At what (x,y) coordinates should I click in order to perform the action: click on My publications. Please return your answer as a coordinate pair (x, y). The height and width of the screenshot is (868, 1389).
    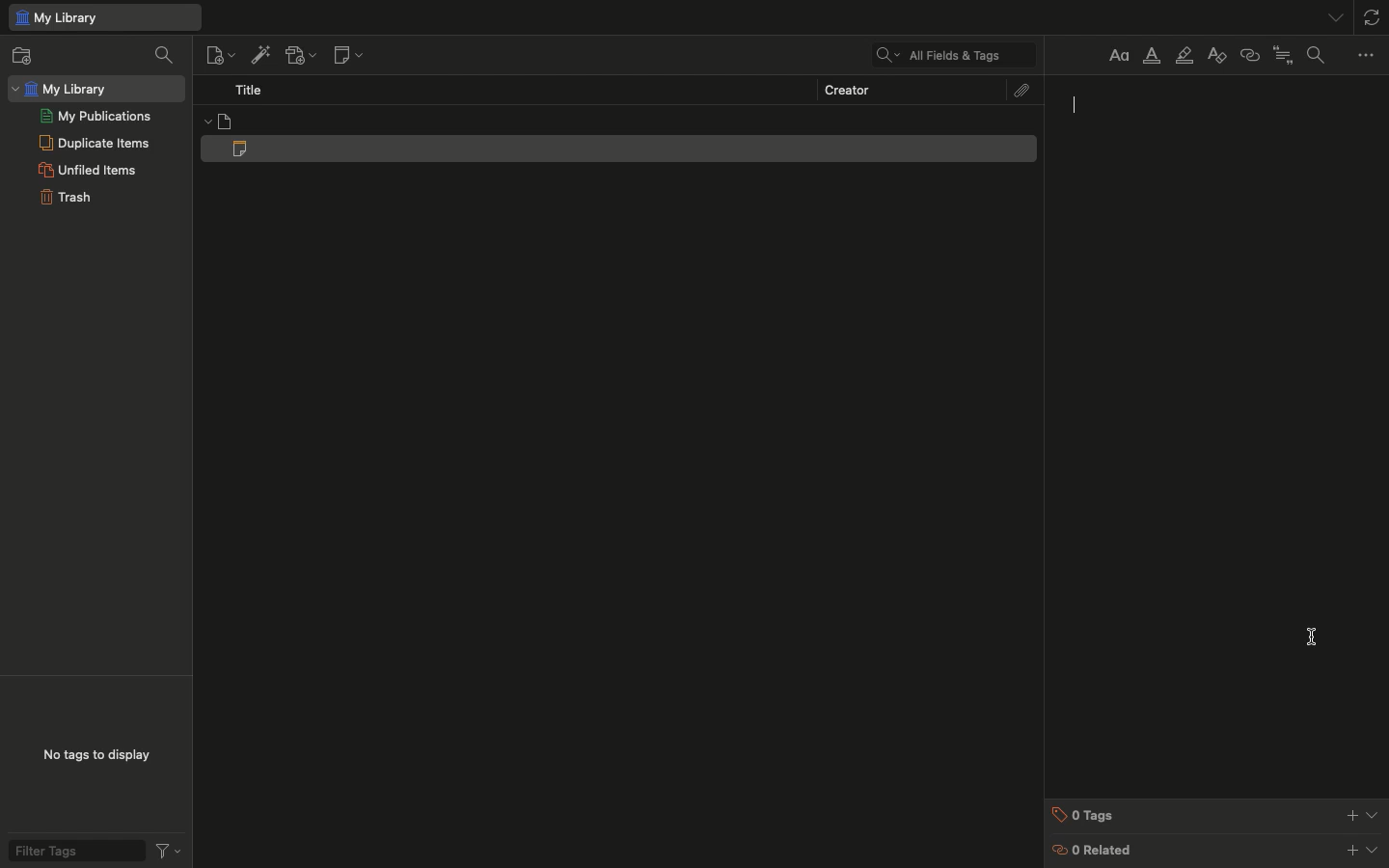
    Looking at the image, I should click on (95, 116).